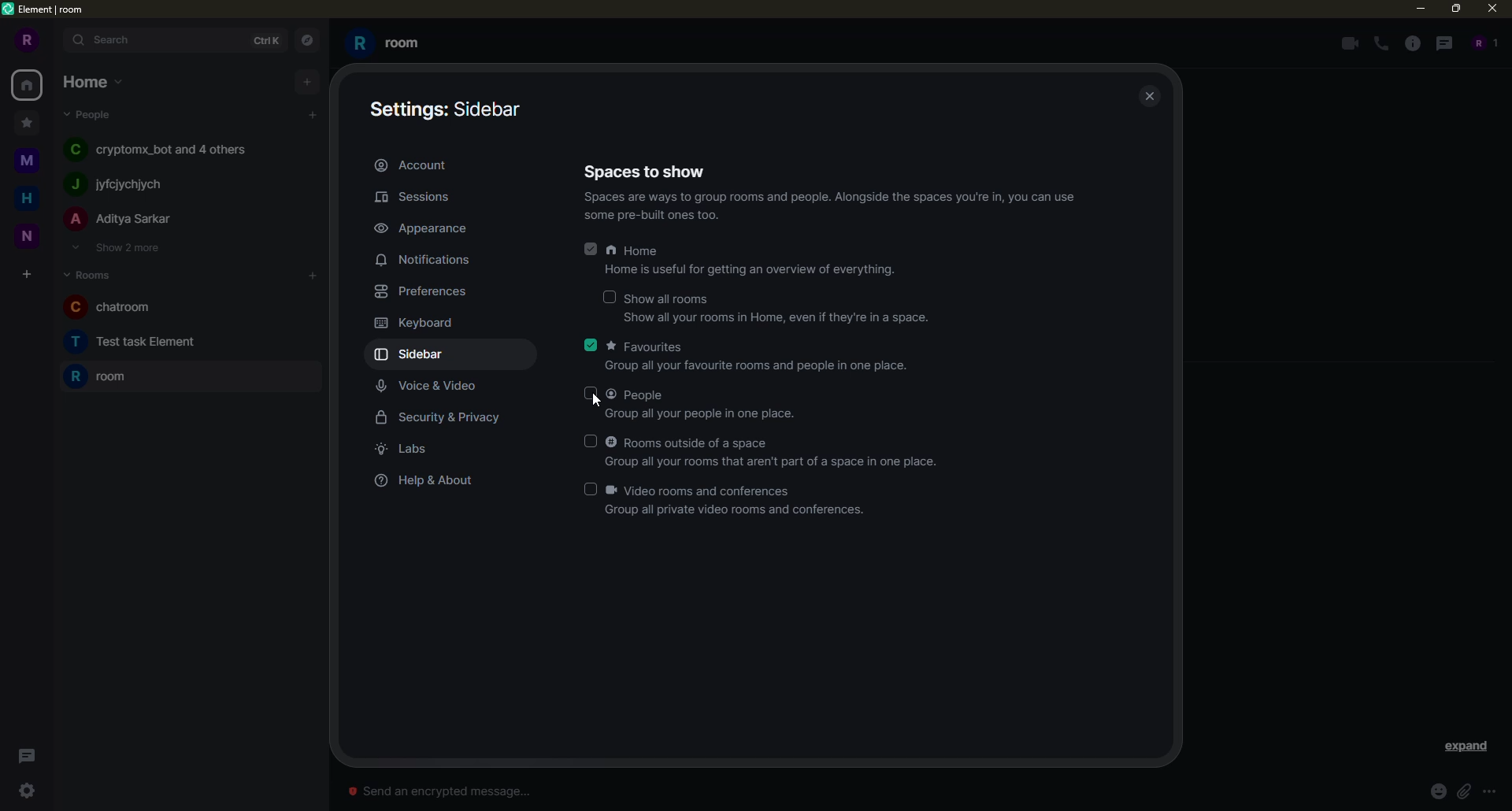 Image resolution: width=1512 pixels, height=811 pixels. Describe the element at coordinates (24, 121) in the screenshot. I see `m` at that location.